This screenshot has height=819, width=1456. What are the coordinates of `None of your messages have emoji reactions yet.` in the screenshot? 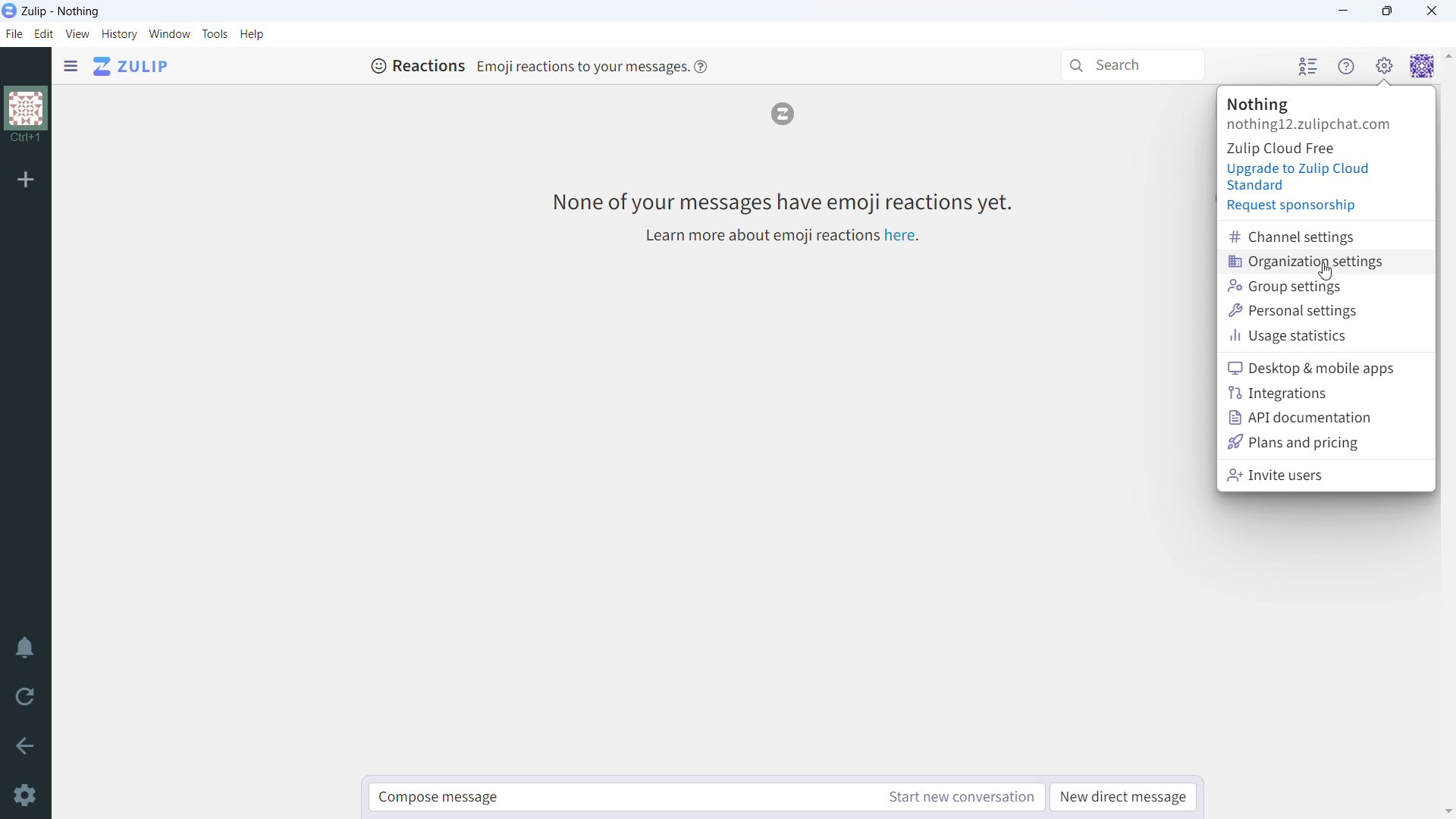 It's located at (780, 202).